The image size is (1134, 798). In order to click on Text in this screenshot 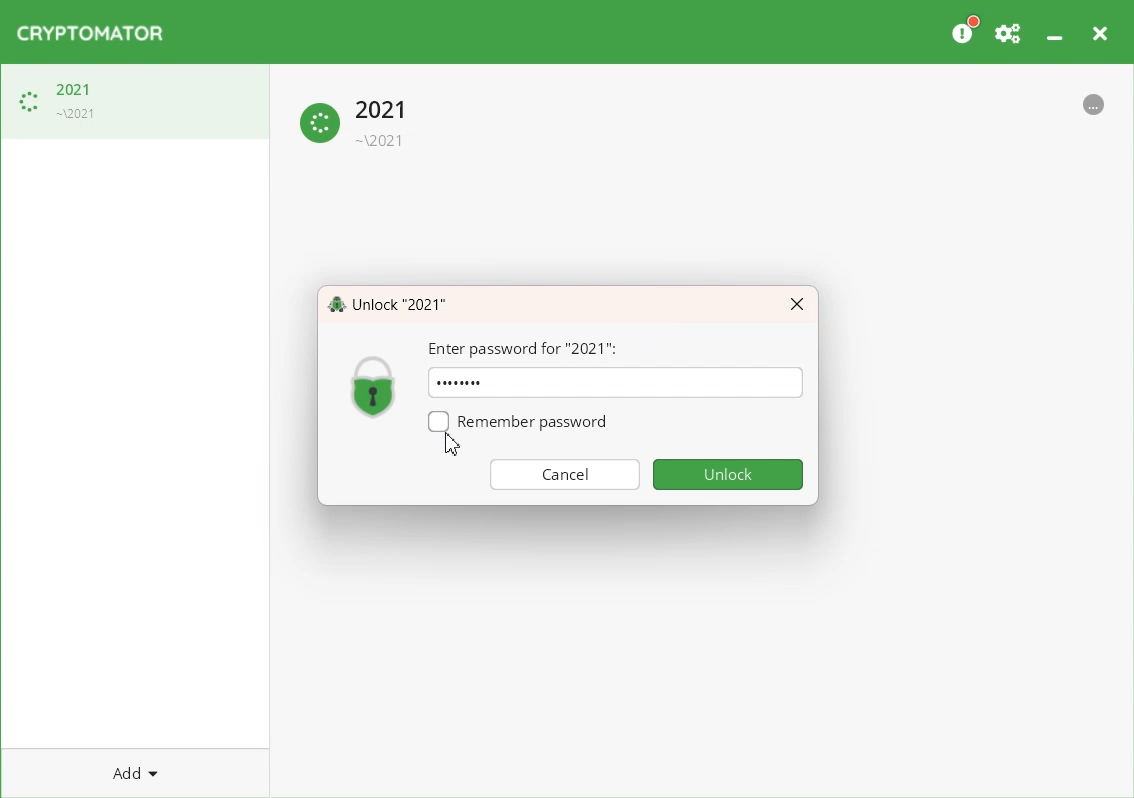, I will do `click(387, 303)`.